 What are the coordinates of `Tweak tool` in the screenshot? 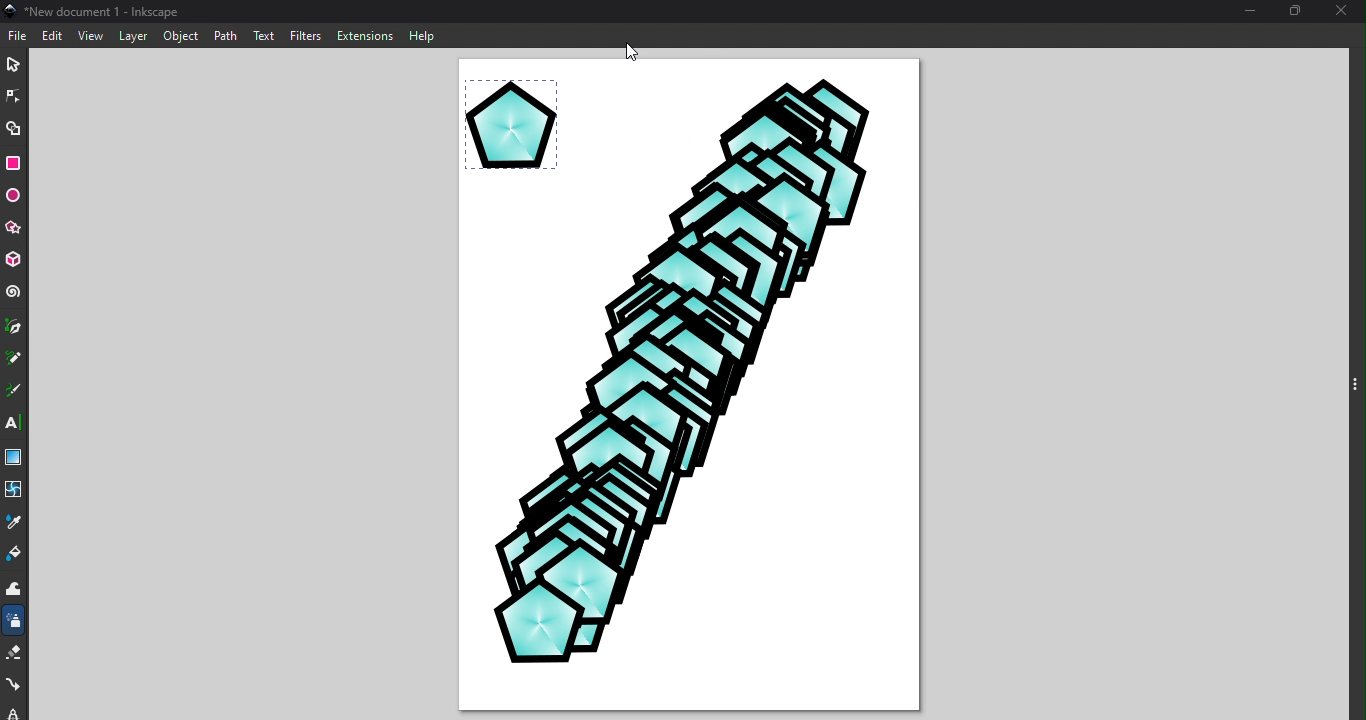 It's located at (18, 591).